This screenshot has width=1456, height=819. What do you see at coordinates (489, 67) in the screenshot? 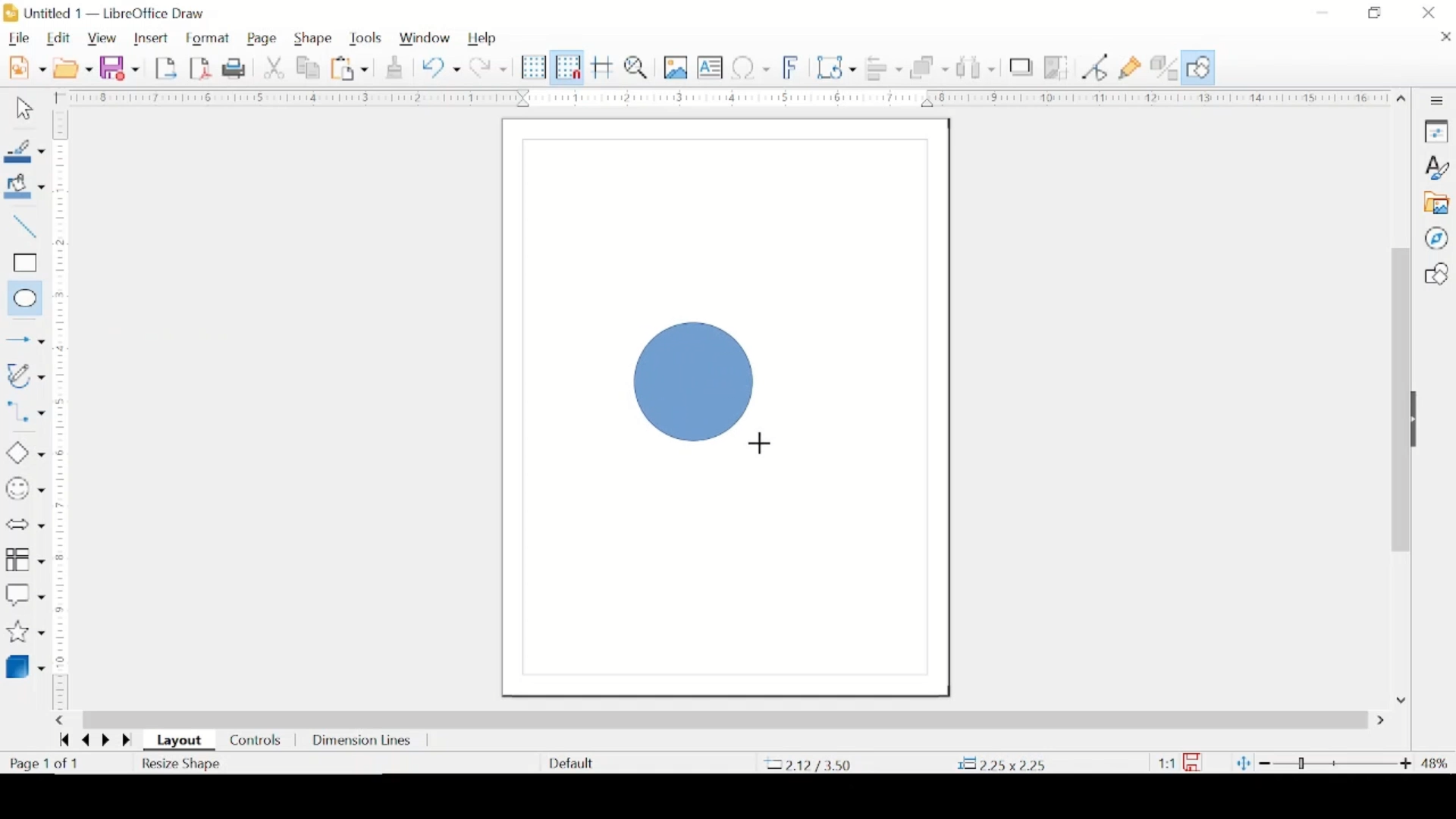
I see `redo` at bounding box center [489, 67].